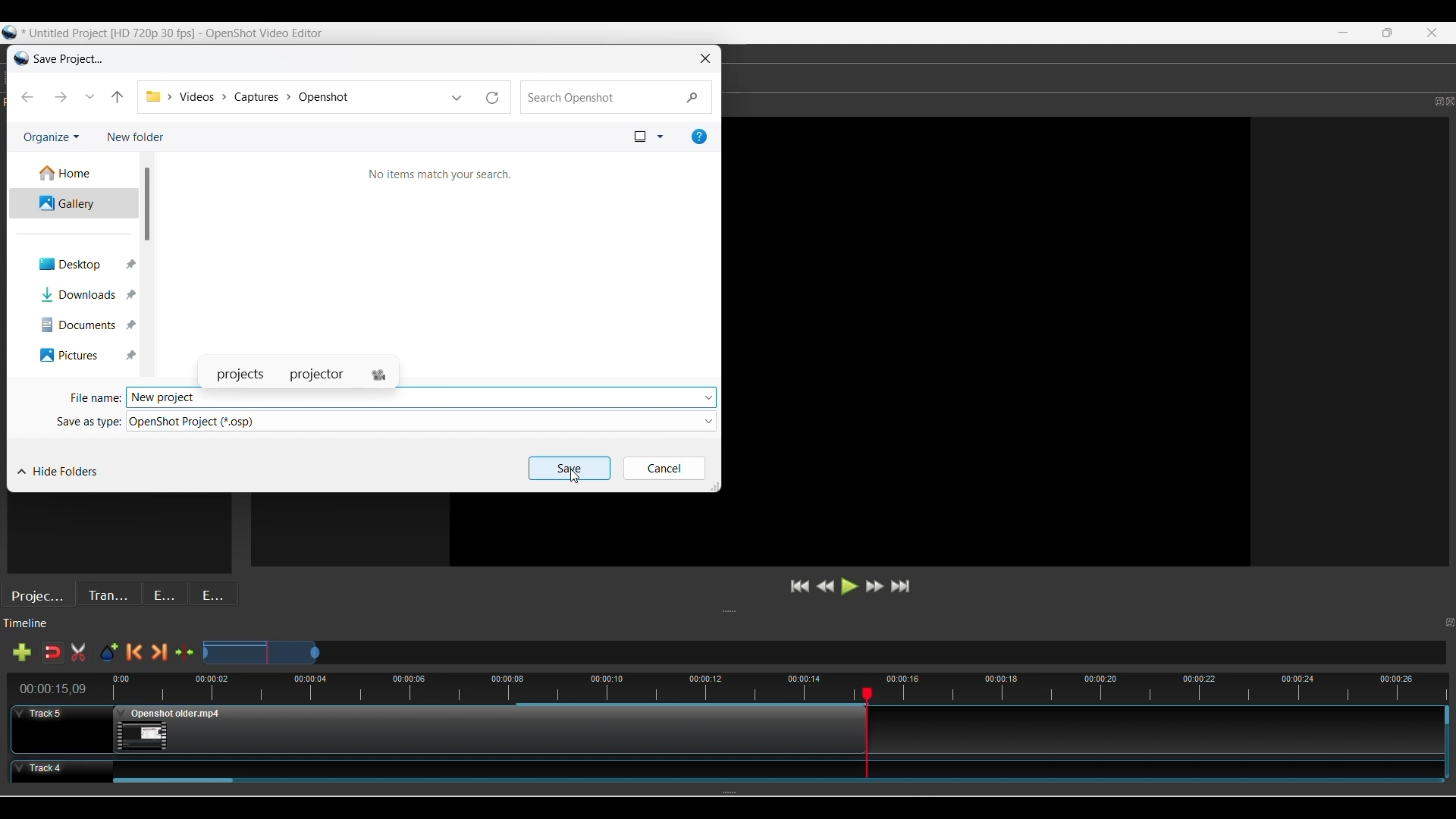 The image size is (1456, 819). What do you see at coordinates (80, 354) in the screenshot?
I see `Pictures` at bounding box center [80, 354].